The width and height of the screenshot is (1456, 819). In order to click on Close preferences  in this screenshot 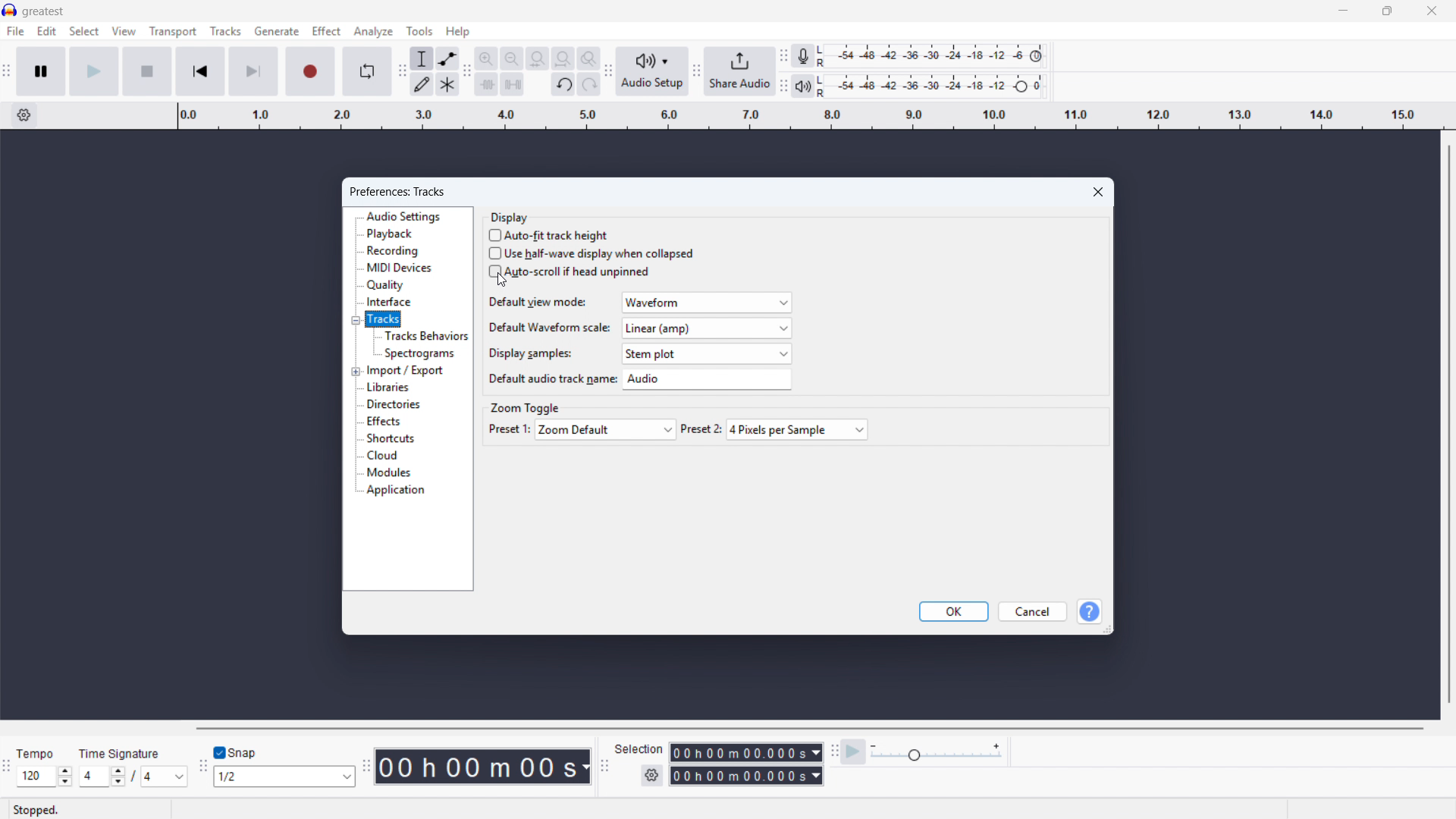, I will do `click(1099, 193)`.